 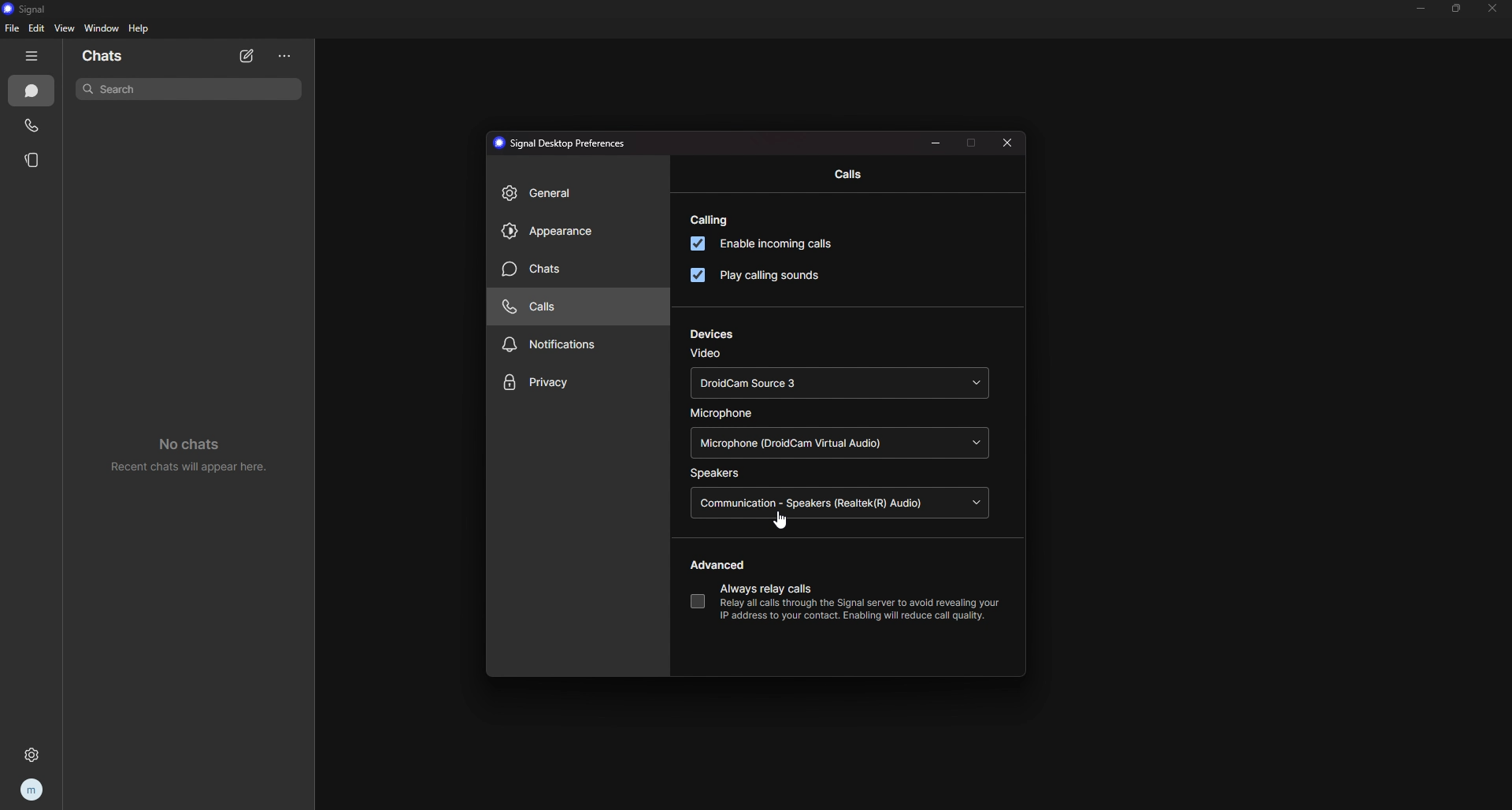 What do you see at coordinates (714, 334) in the screenshot?
I see `devices` at bounding box center [714, 334].